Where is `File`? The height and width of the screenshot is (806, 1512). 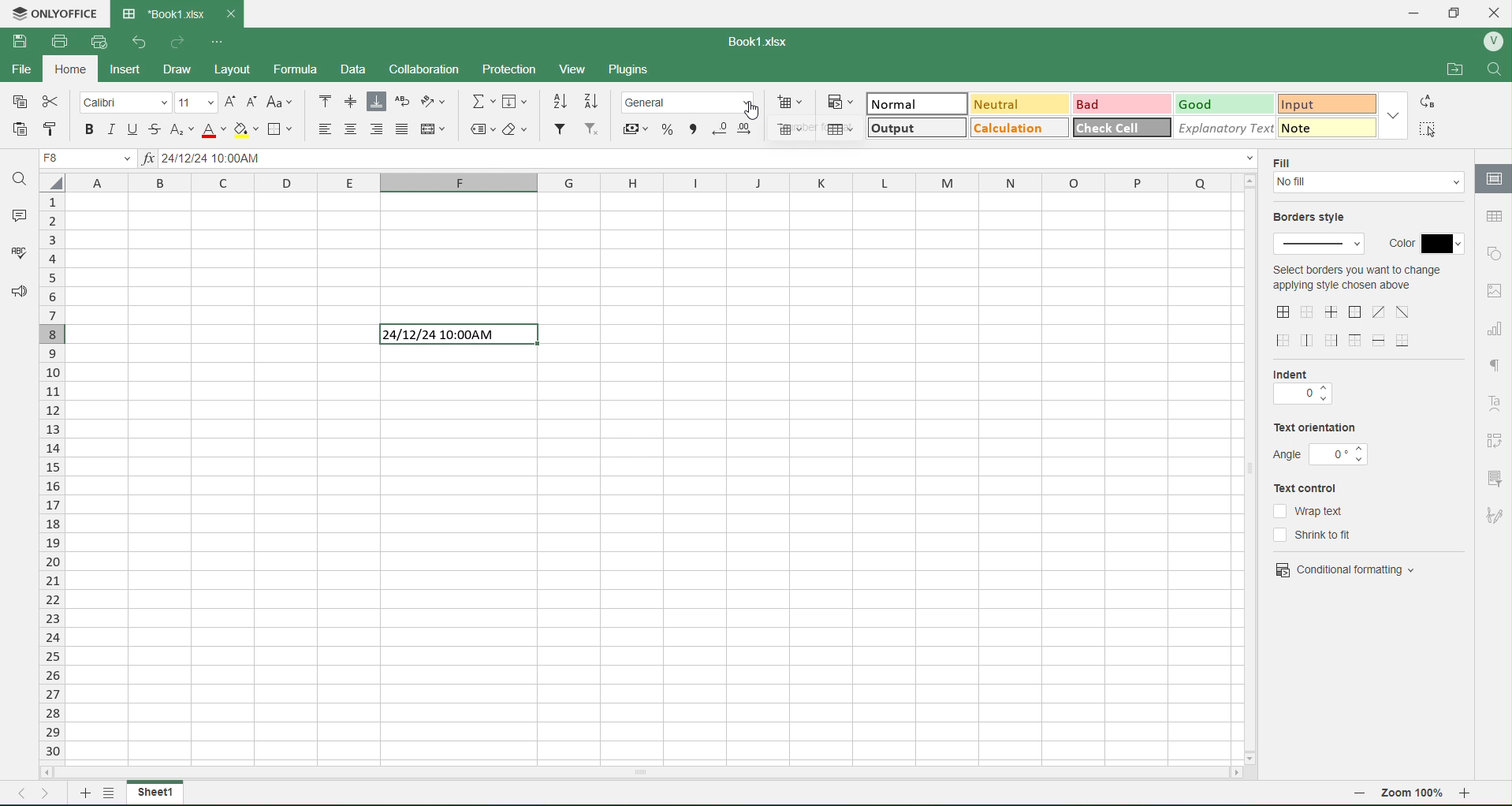
File is located at coordinates (24, 73).